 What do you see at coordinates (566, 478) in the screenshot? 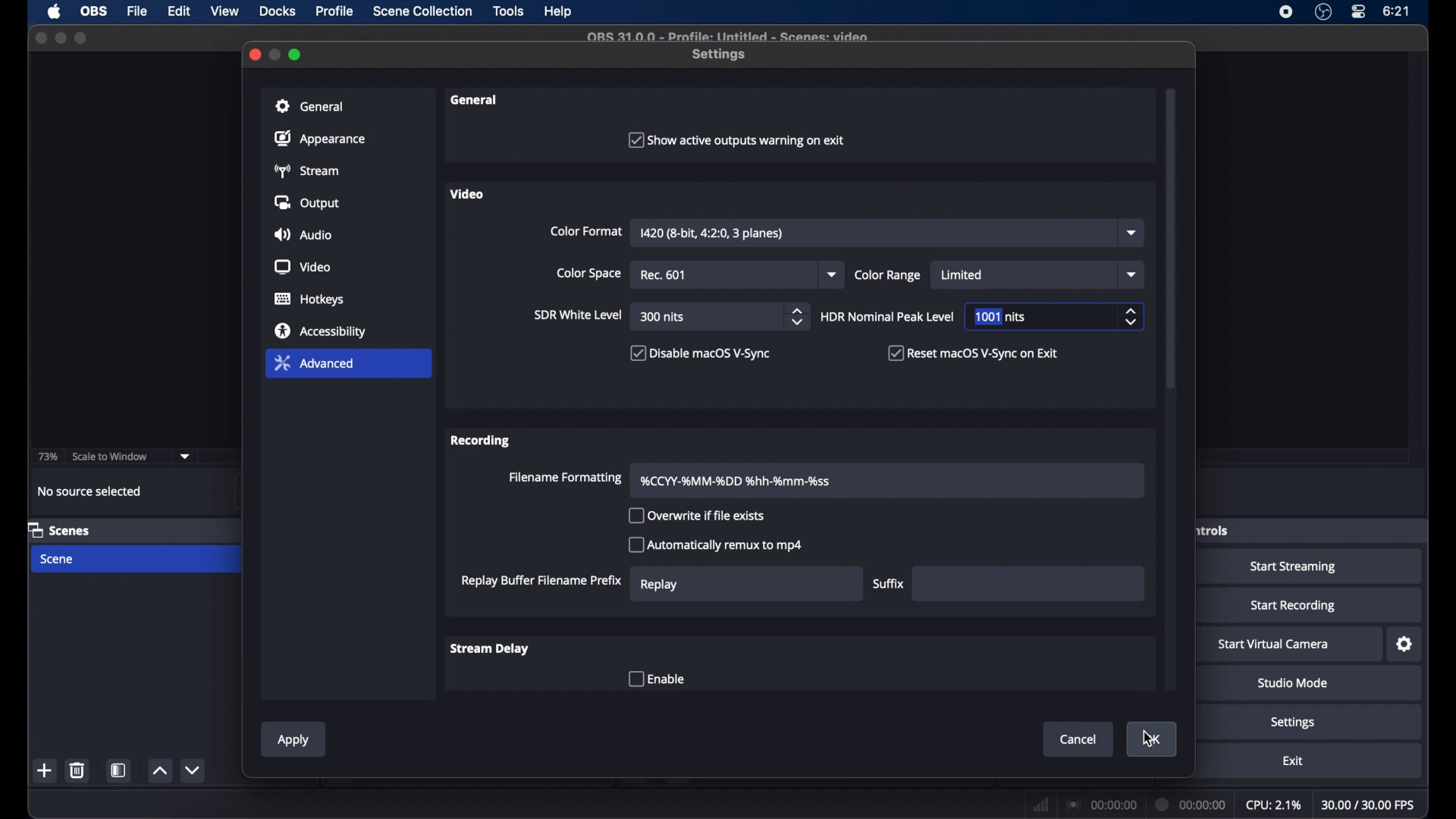
I see `filename formatting` at bounding box center [566, 478].